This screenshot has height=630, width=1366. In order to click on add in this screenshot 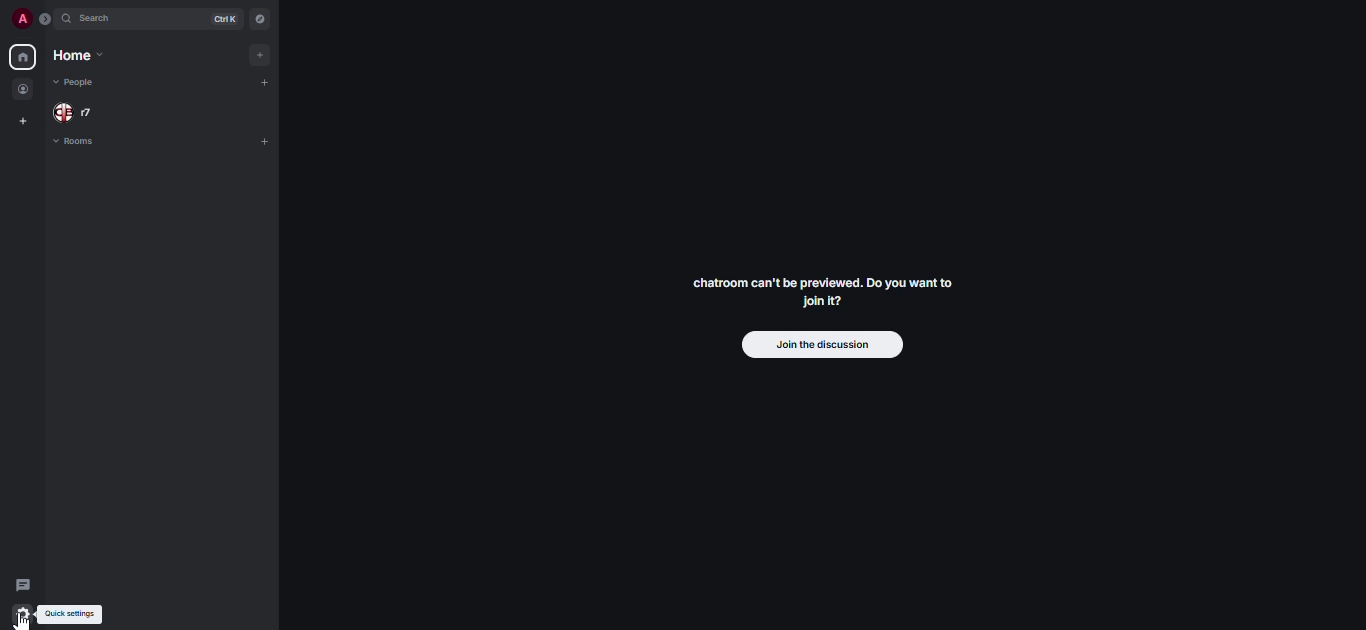, I will do `click(260, 53)`.